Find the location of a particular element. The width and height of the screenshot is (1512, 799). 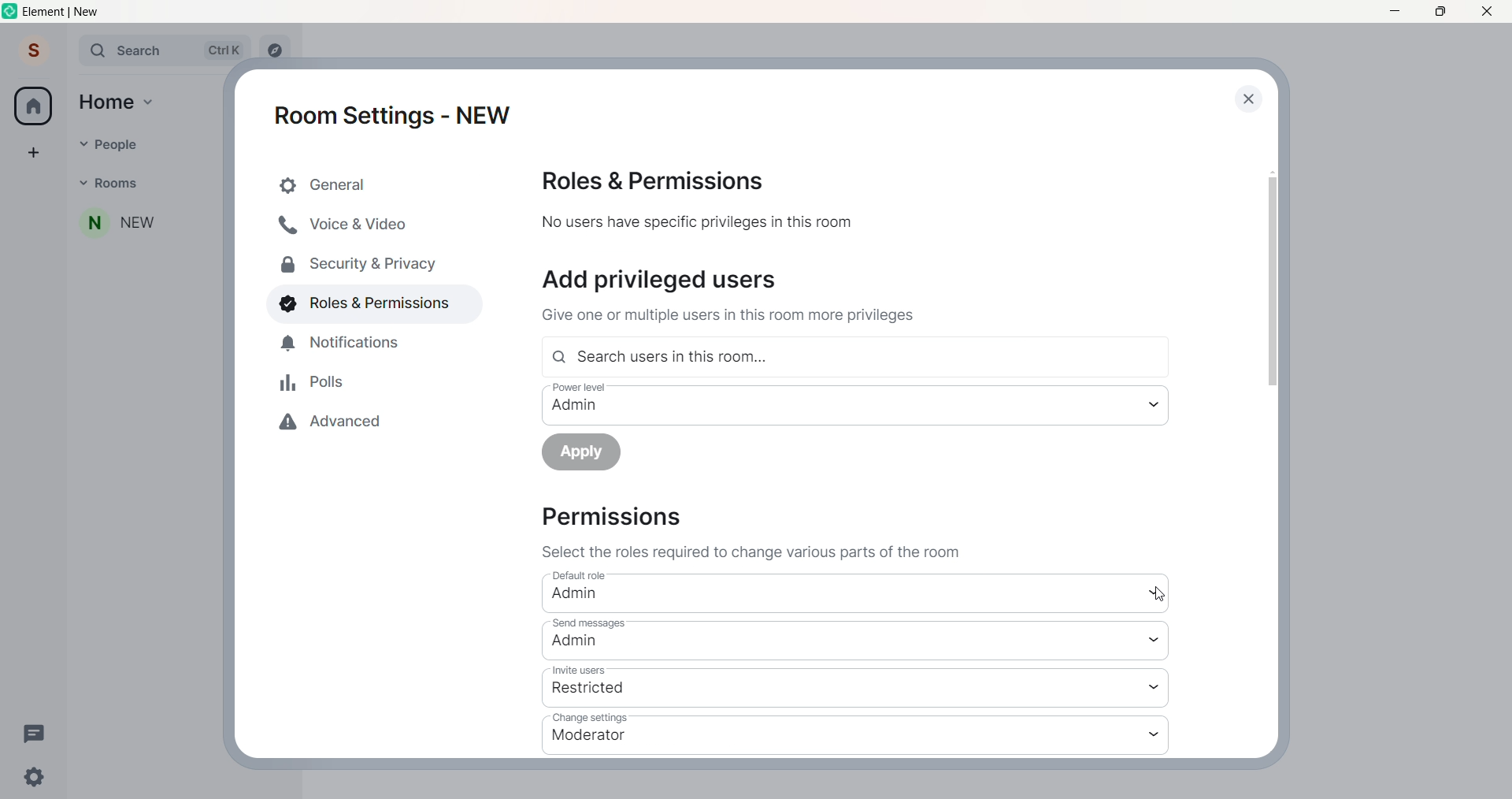

power level dropdown is located at coordinates (1155, 406).